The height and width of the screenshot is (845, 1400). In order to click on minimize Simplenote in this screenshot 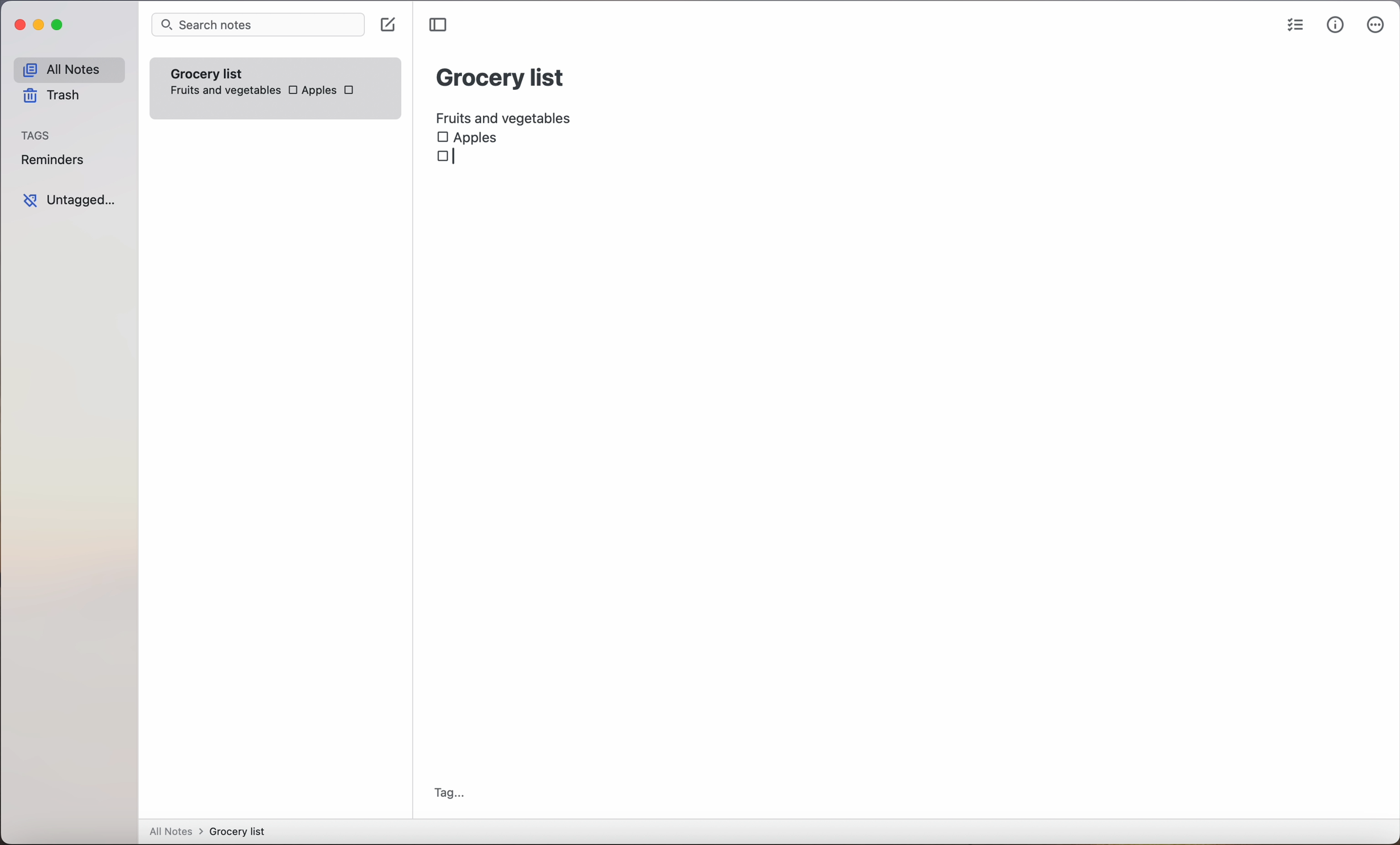, I will do `click(41, 27)`.